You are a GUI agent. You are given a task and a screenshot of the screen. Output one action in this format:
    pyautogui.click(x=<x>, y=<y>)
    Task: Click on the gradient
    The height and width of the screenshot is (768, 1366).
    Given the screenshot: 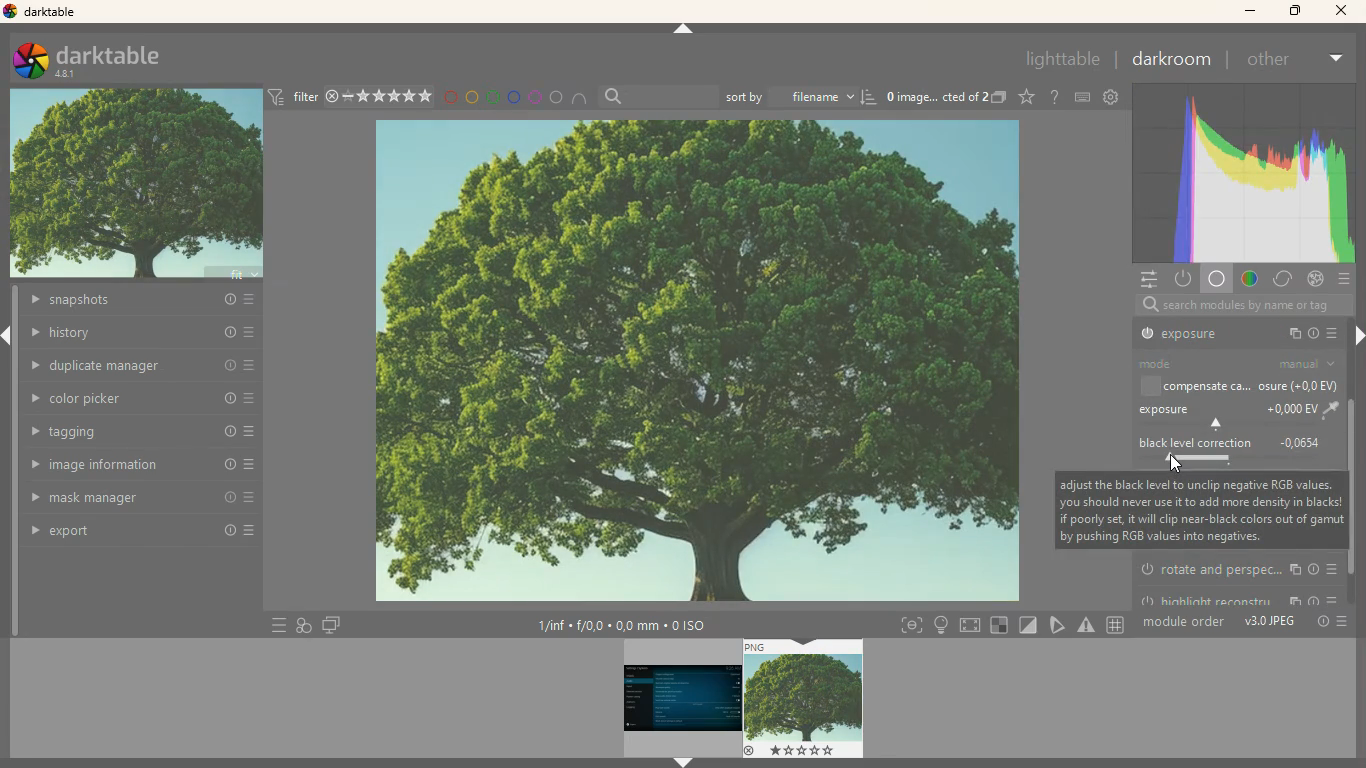 What is the action you would take?
    pyautogui.click(x=1253, y=279)
    